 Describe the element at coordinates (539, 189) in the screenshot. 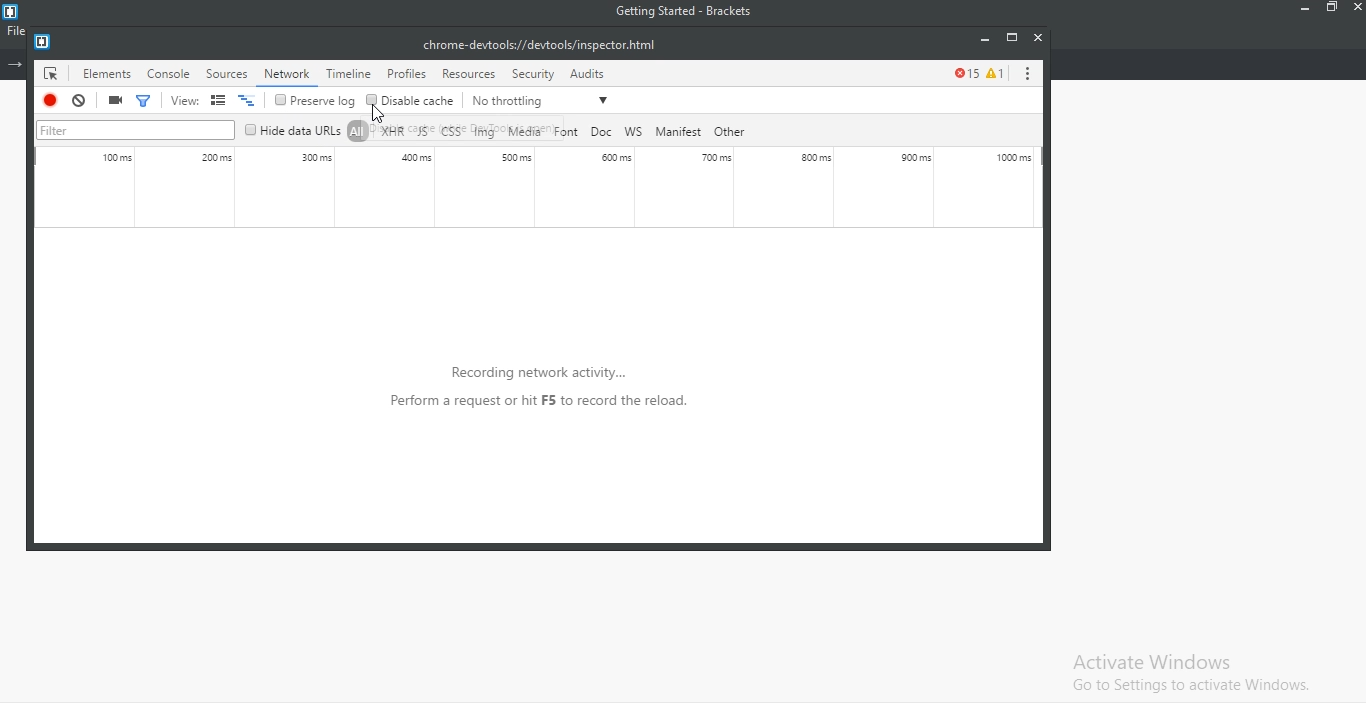

I see `activity monitor` at that location.